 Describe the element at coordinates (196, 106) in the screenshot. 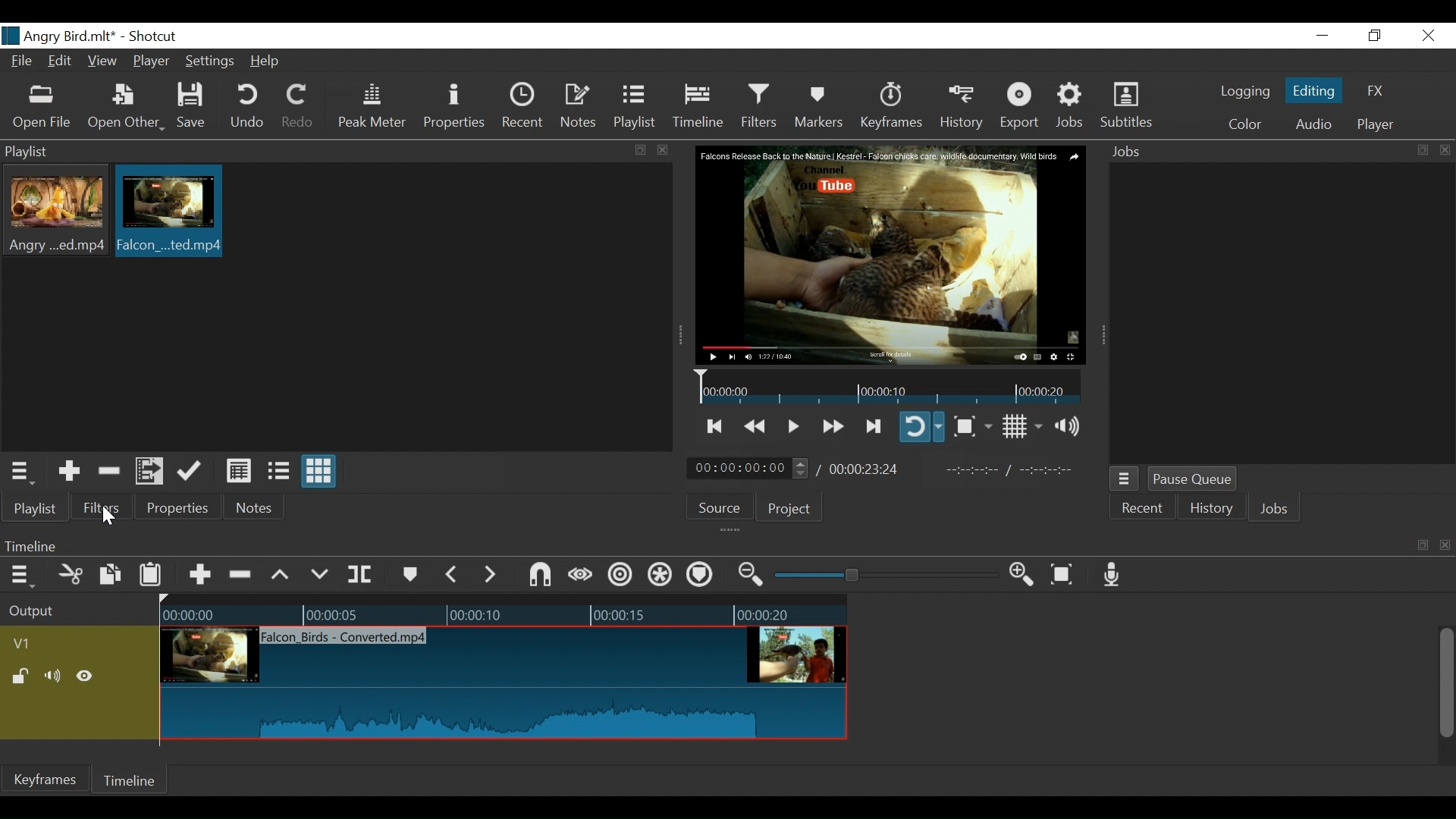

I see `Save` at that location.